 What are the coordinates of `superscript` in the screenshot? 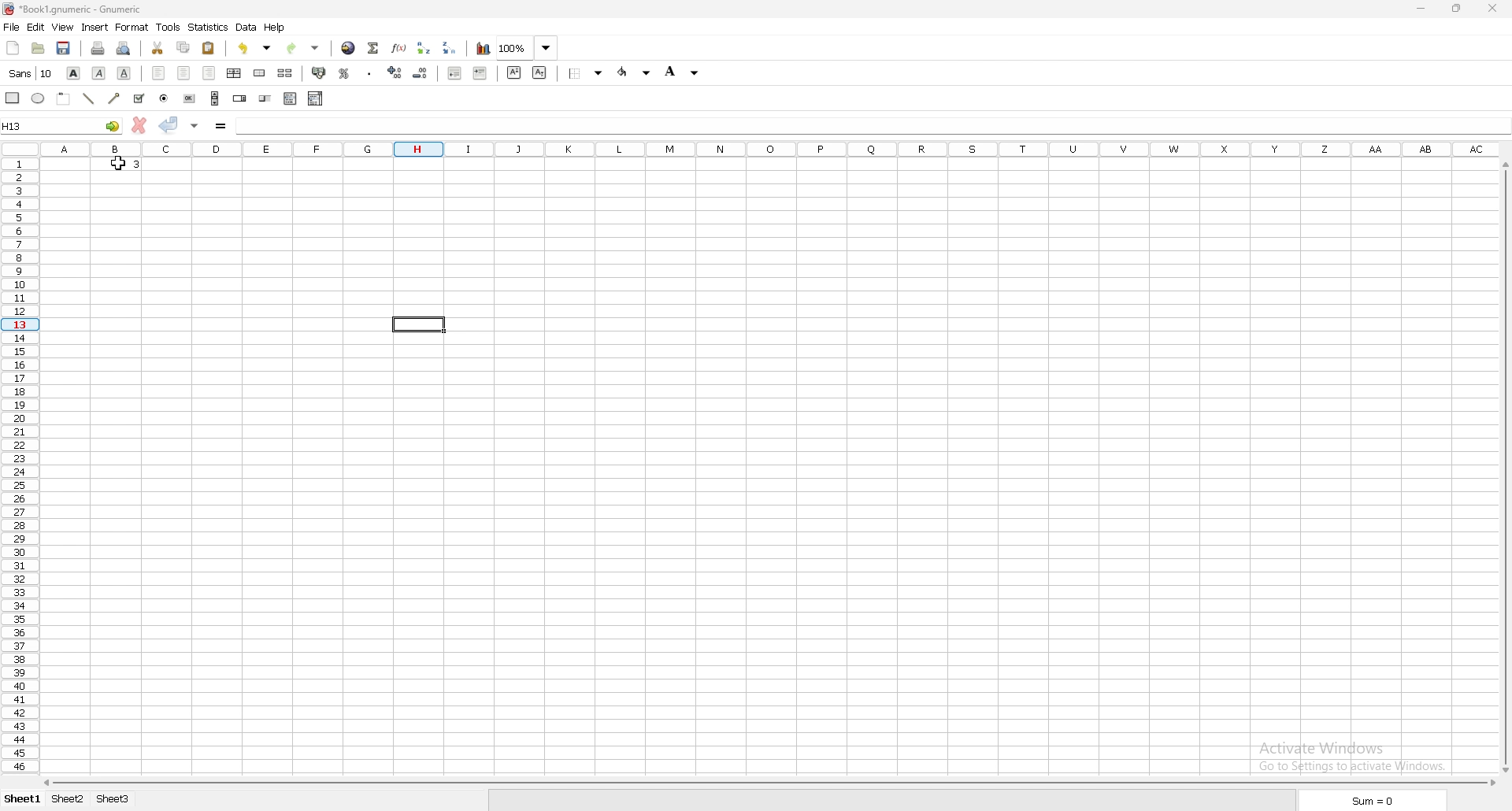 It's located at (514, 72).